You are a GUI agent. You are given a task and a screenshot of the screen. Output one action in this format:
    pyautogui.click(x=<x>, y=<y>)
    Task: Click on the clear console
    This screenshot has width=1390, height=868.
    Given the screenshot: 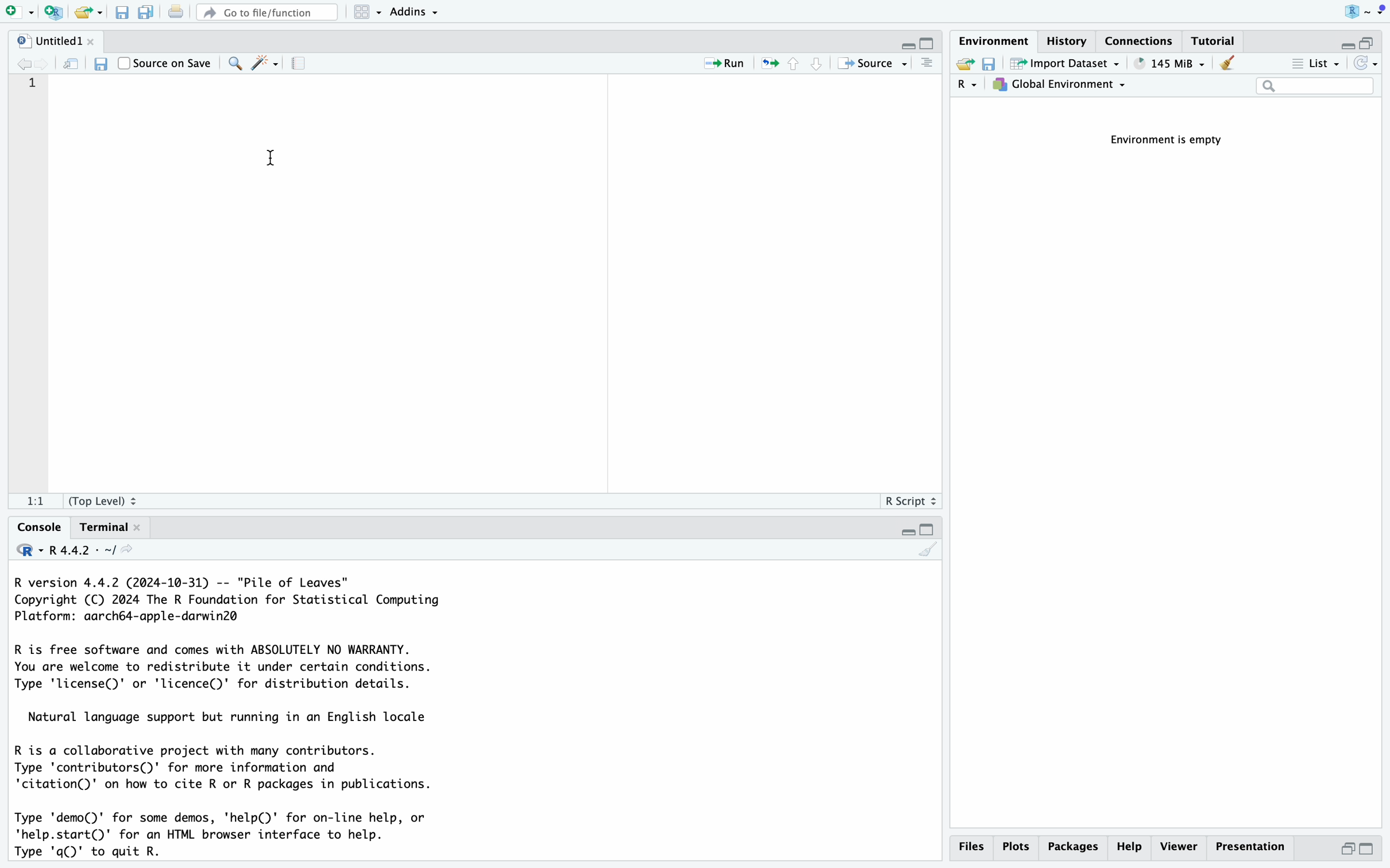 What is the action you would take?
    pyautogui.click(x=928, y=553)
    